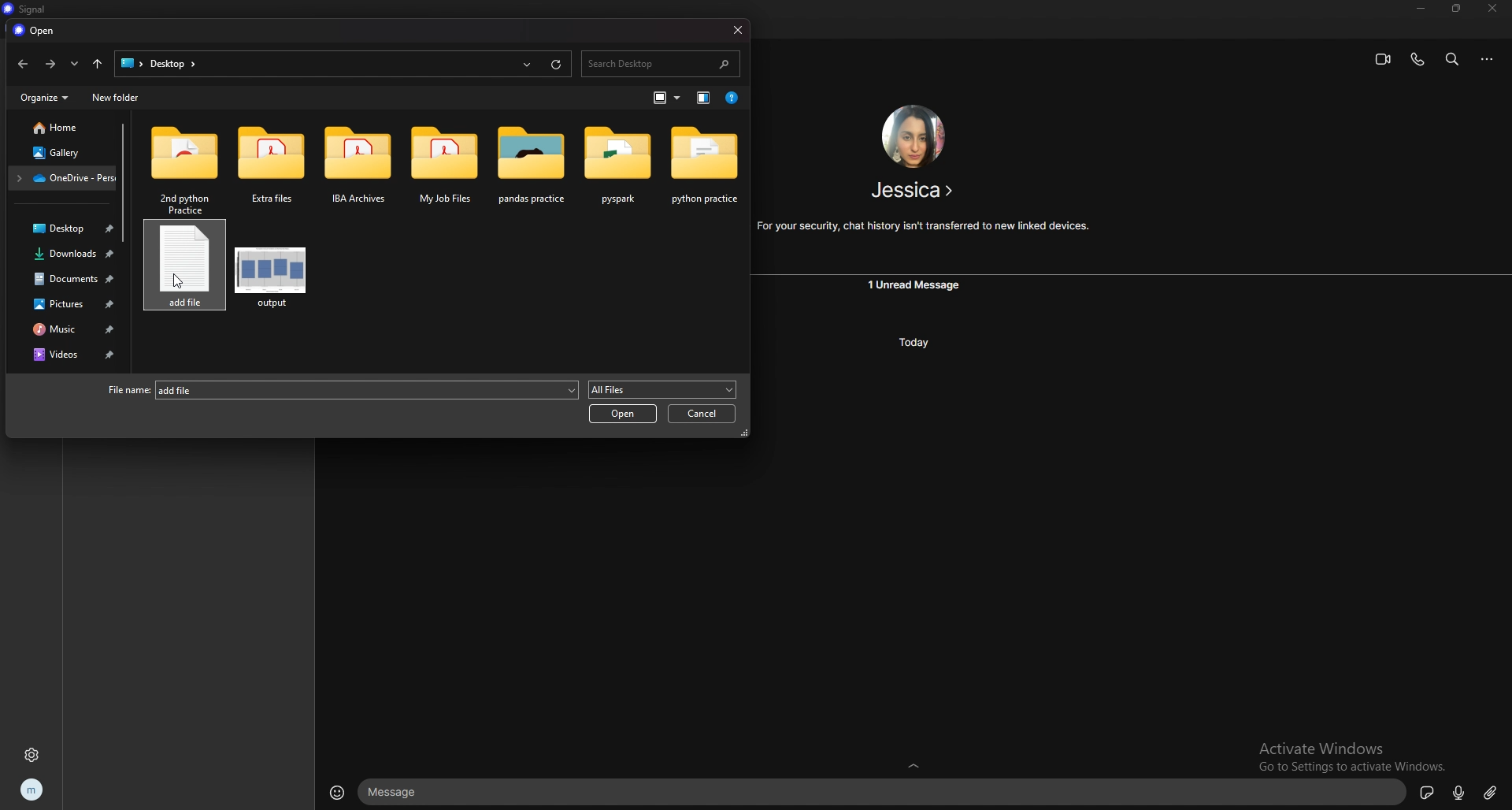 The height and width of the screenshot is (810, 1512). Describe the element at coordinates (49, 65) in the screenshot. I see `forward` at that location.